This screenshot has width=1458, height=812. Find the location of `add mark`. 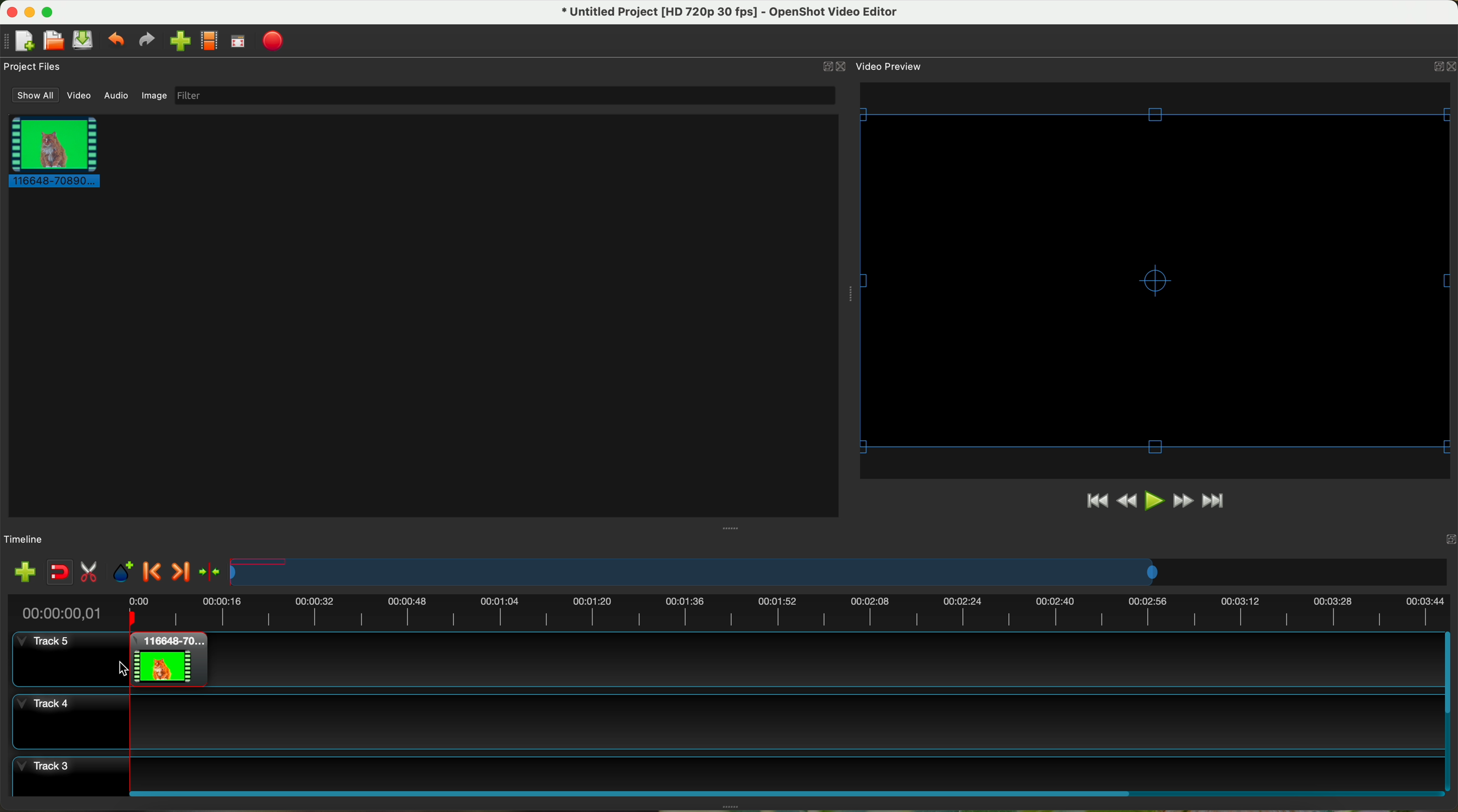

add mark is located at coordinates (123, 572).